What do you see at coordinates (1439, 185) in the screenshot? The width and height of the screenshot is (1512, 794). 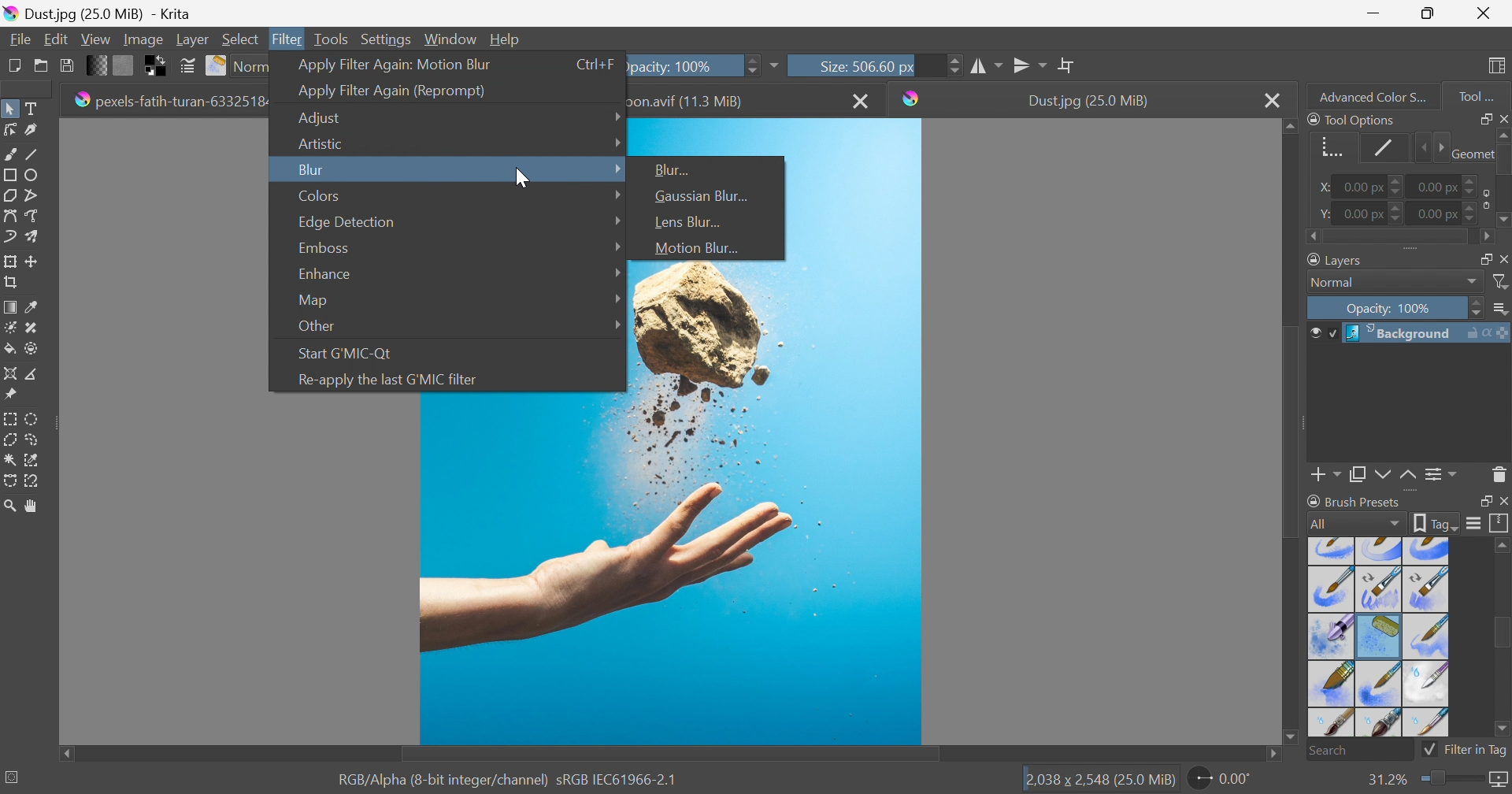 I see `0.00 px` at bounding box center [1439, 185].